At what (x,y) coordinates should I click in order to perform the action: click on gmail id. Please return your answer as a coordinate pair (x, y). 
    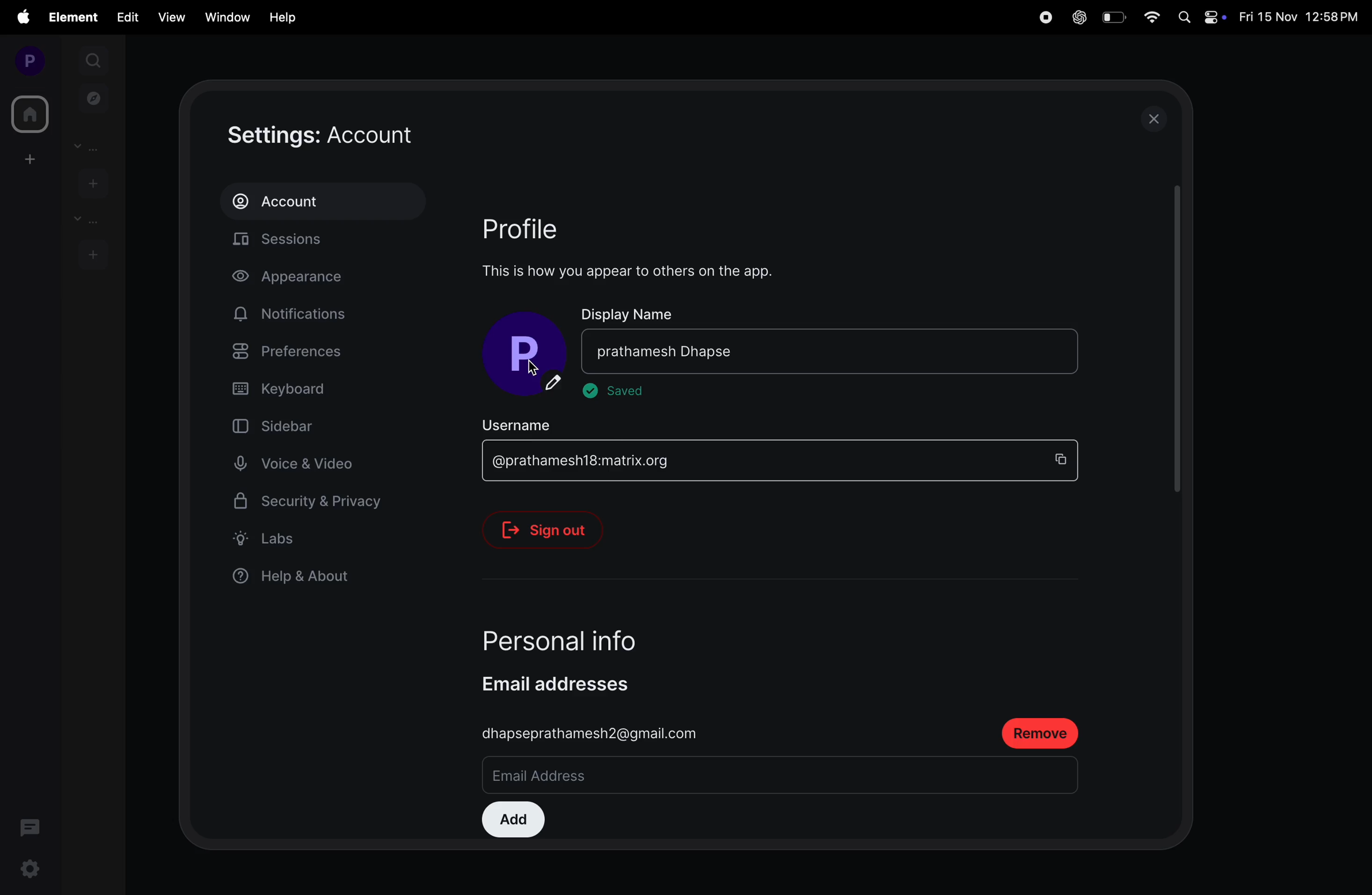
    Looking at the image, I should click on (593, 729).